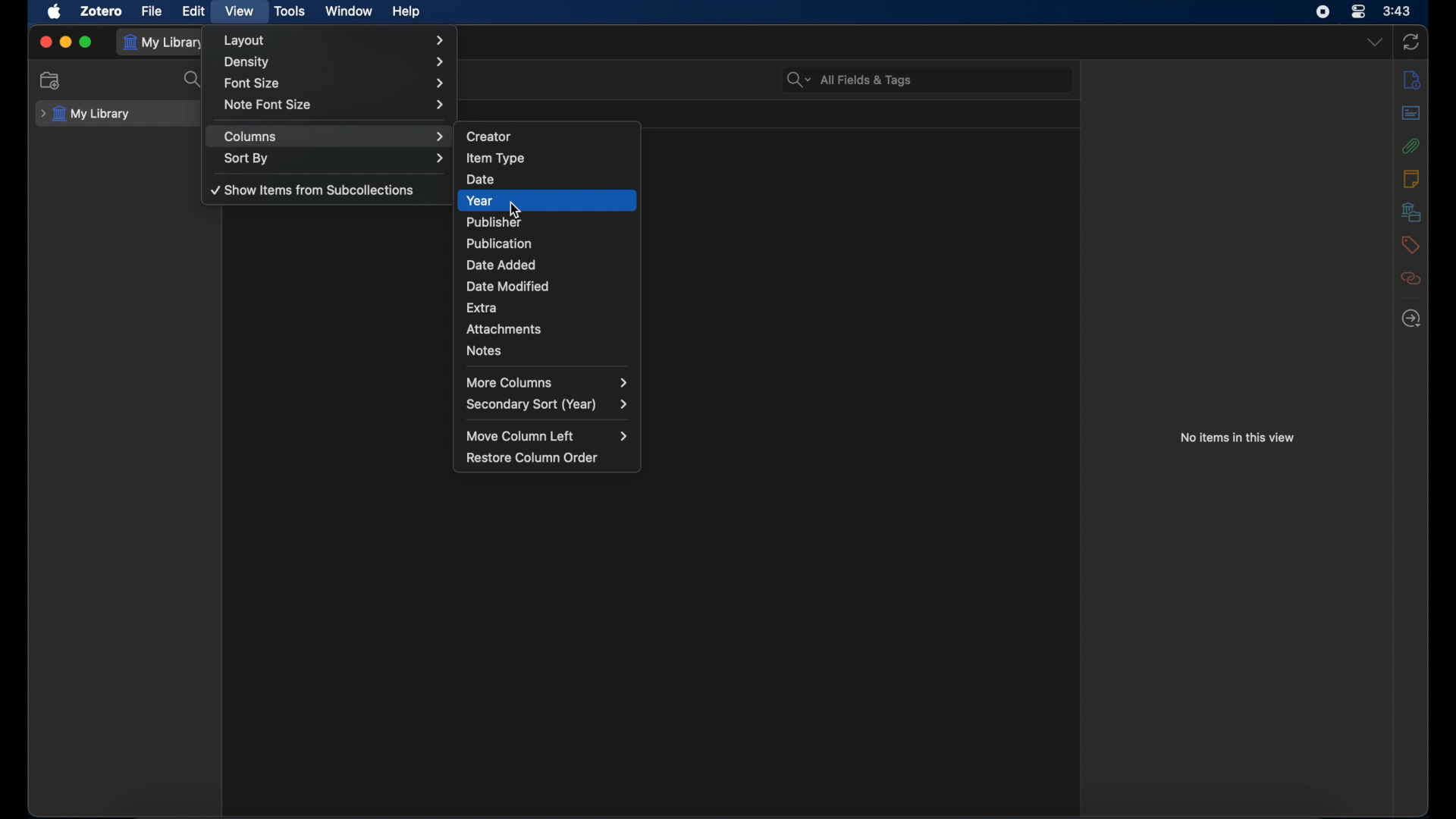 The width and height of the screenshot is (1456, 819). Describe the element at coordinates (850, 80) in the screenshot. I see `search bar` at that location.